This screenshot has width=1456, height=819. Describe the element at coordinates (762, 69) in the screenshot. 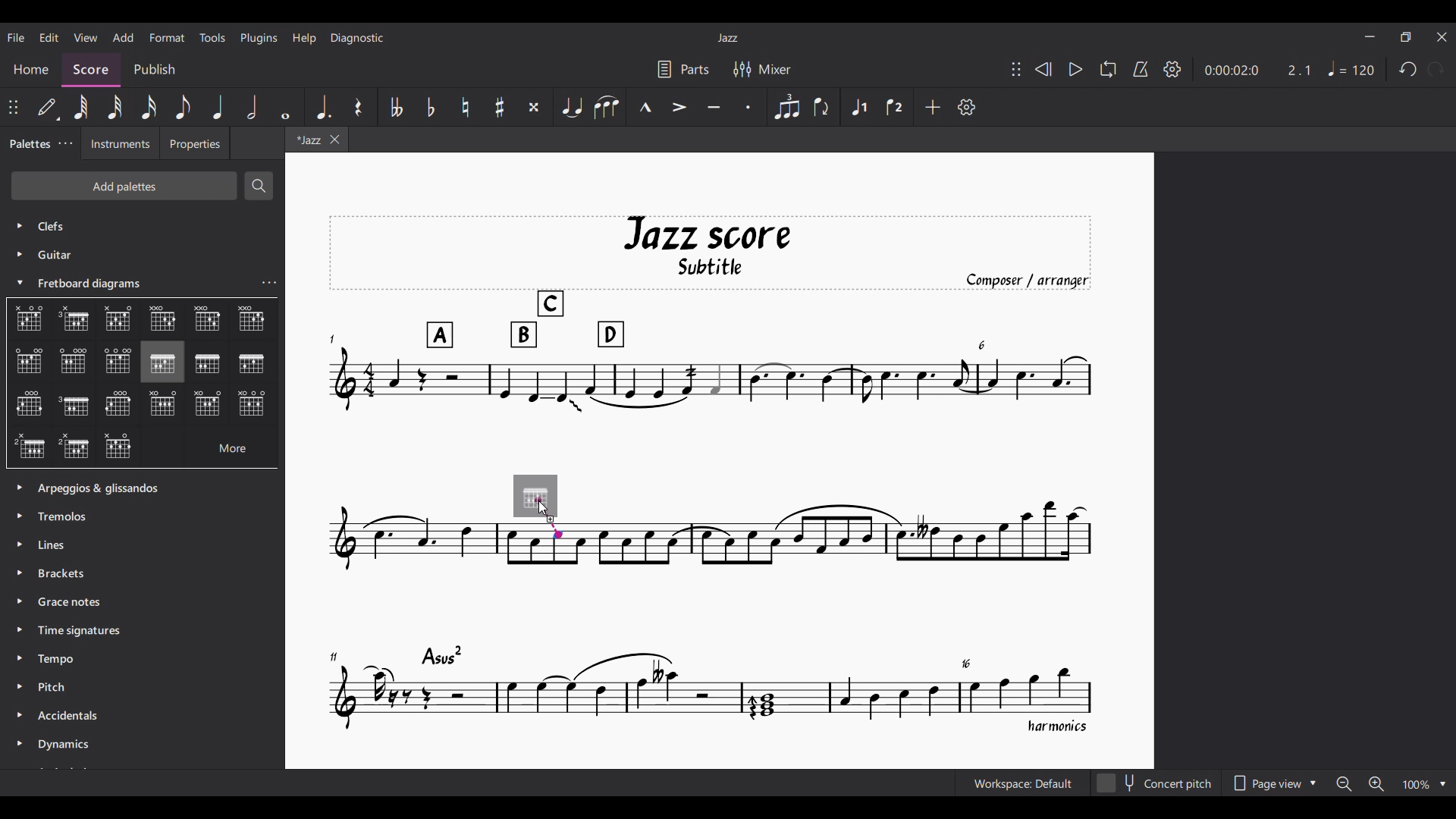

I see `Mixer settings` at that location.